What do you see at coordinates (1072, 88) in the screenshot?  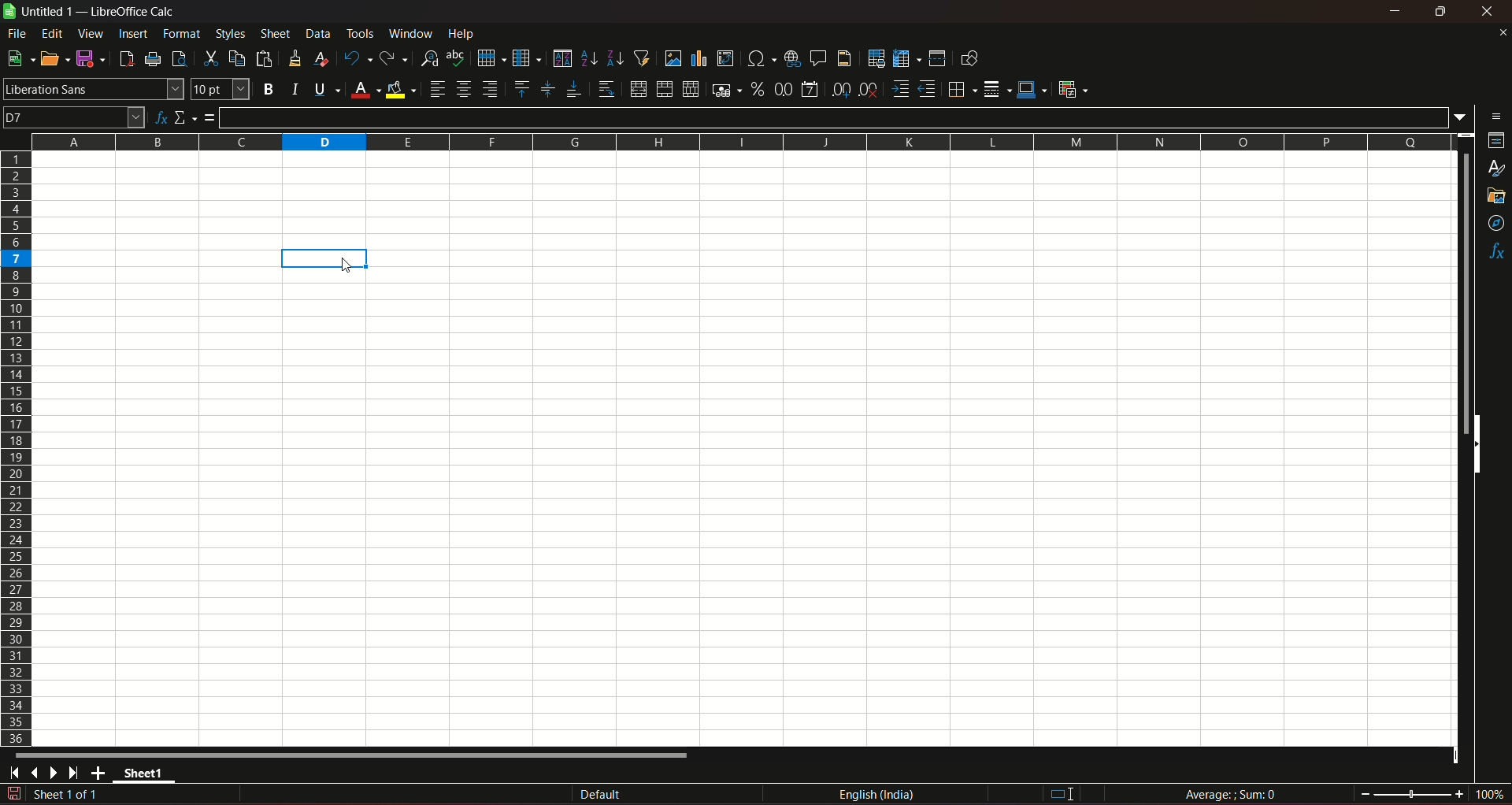 I see `conditional` at bounding box center [1072, 88].